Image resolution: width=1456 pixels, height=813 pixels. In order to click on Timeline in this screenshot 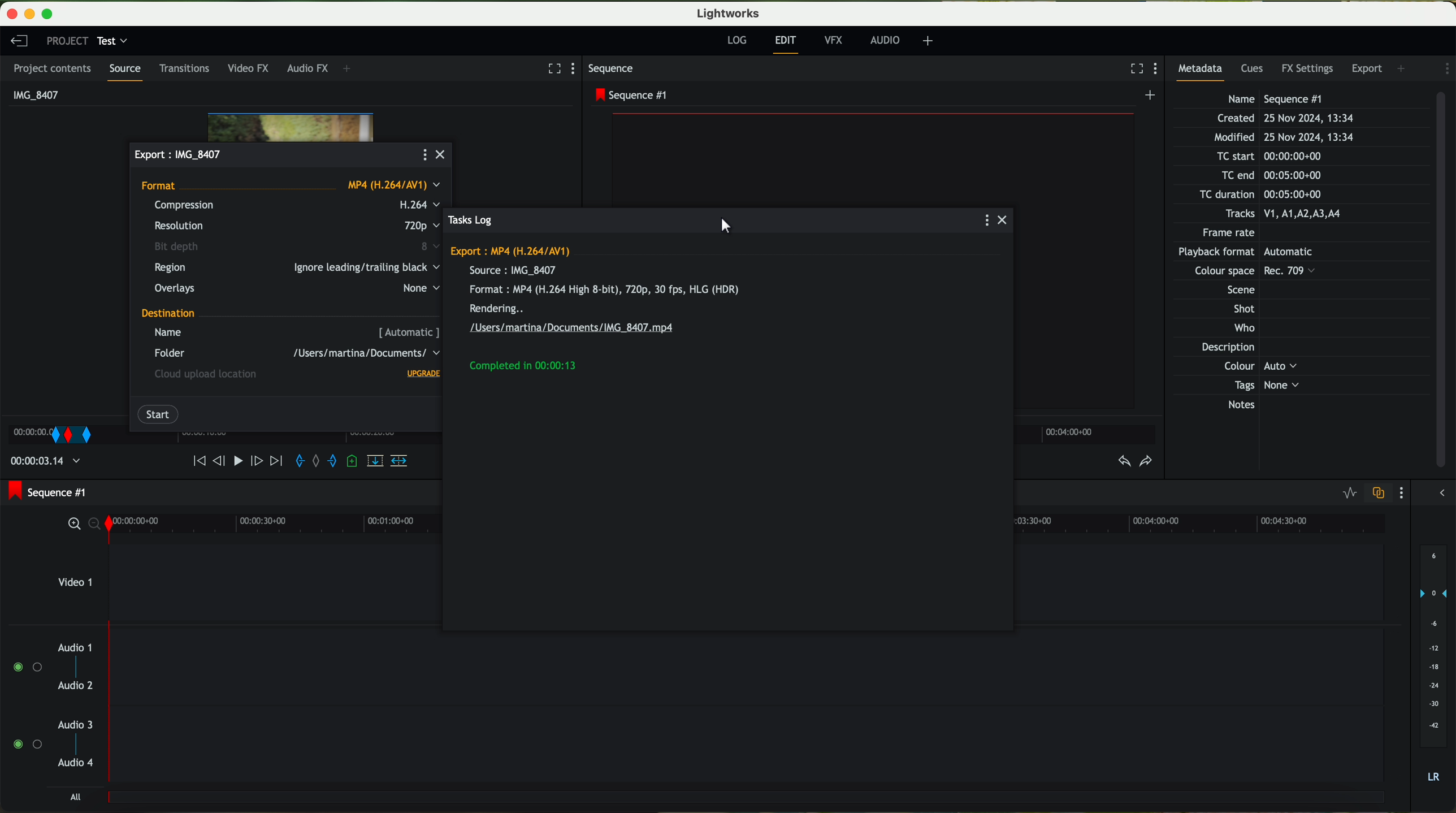, I will do `click(349, 433)`.